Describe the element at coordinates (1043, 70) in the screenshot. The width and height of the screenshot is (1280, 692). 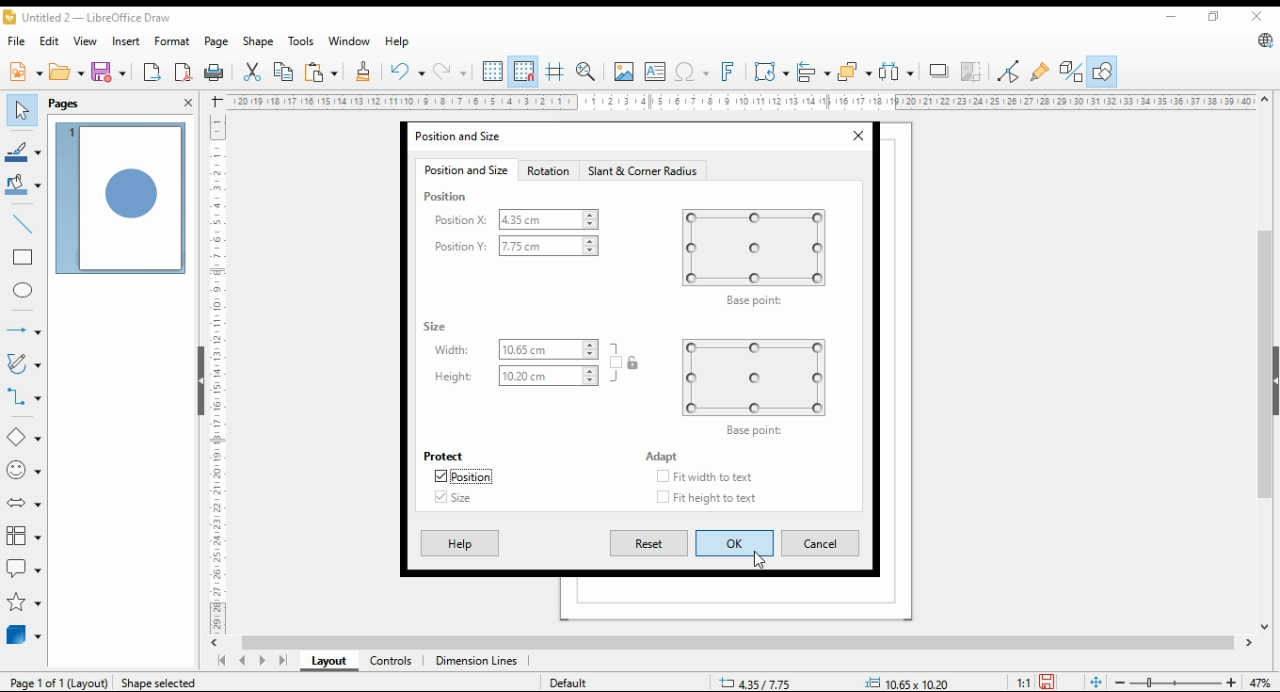
I see `show gluepoint functions` at that location.